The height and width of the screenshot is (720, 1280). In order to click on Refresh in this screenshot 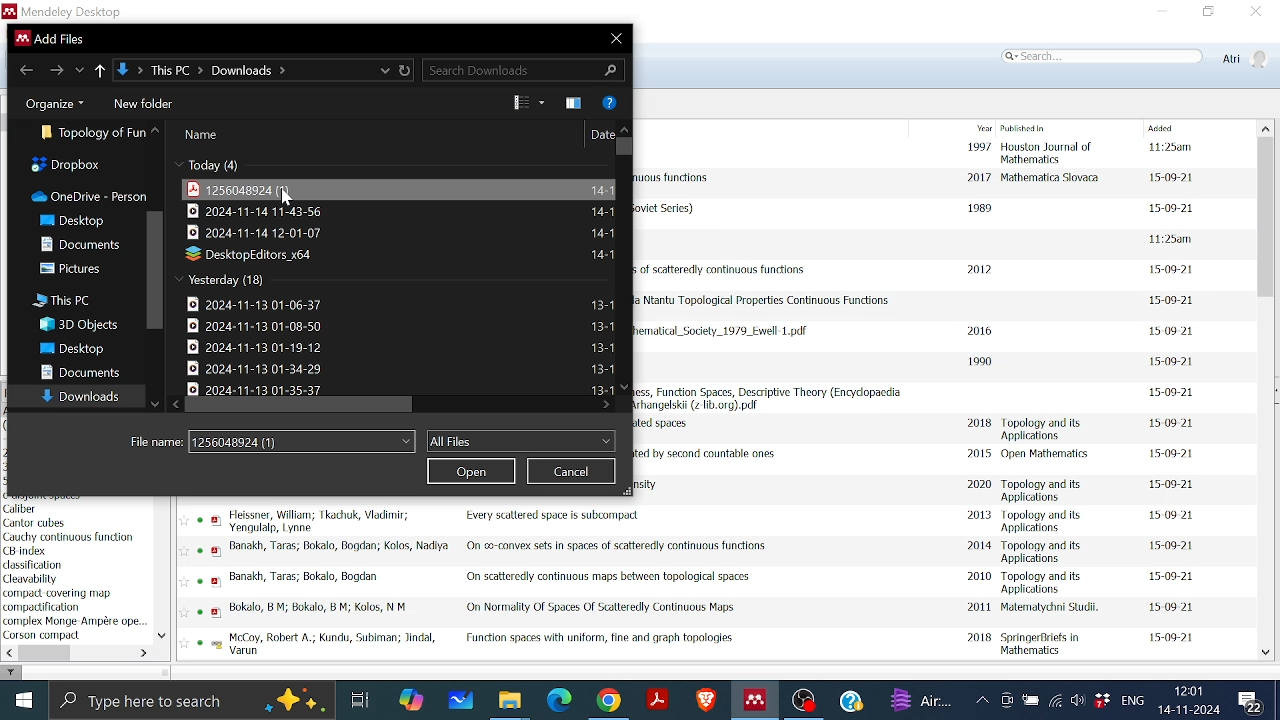, I will do `click(404, 69)`.